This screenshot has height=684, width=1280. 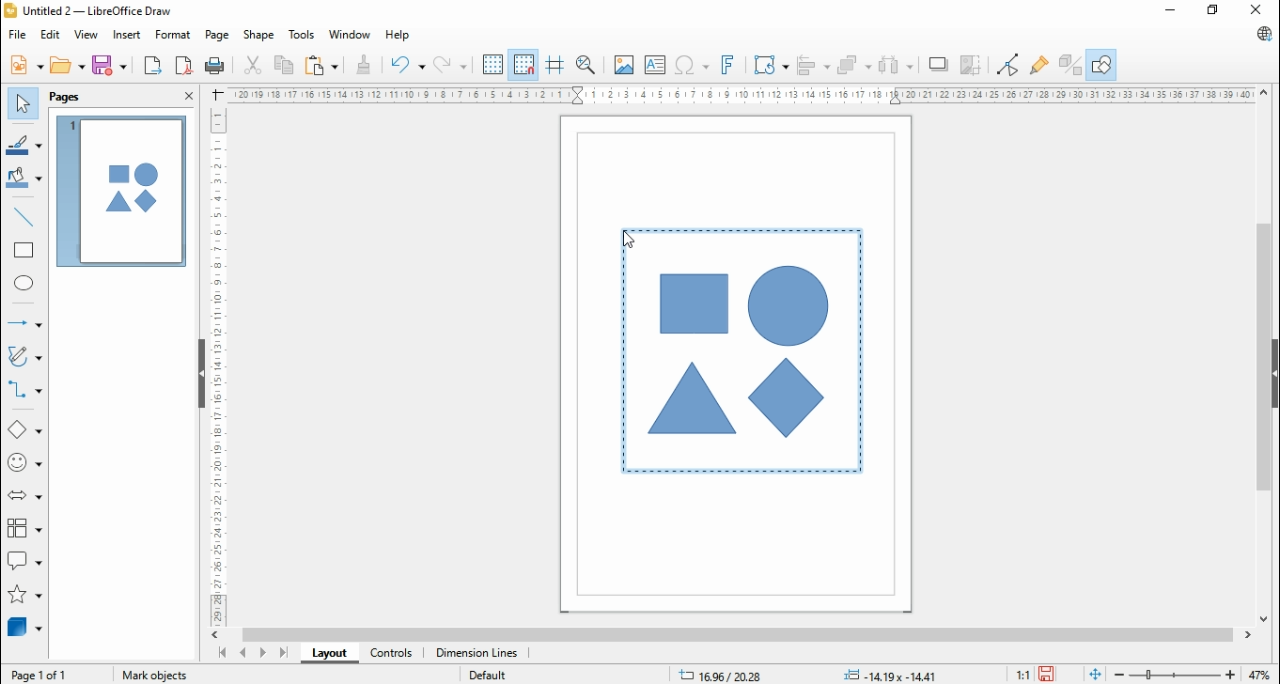 I want to click on close window, so click(x=1260, y=9).